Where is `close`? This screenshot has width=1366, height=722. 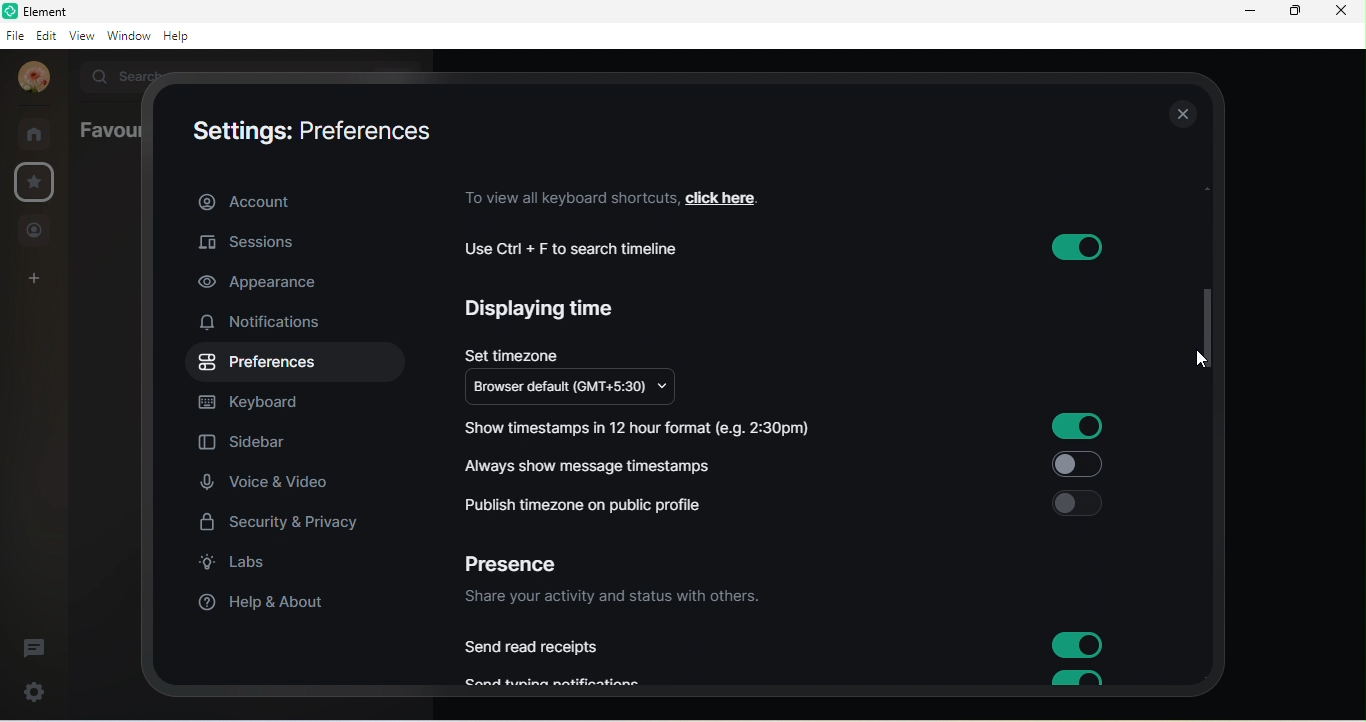 close is located at coordinates (1180, 116).